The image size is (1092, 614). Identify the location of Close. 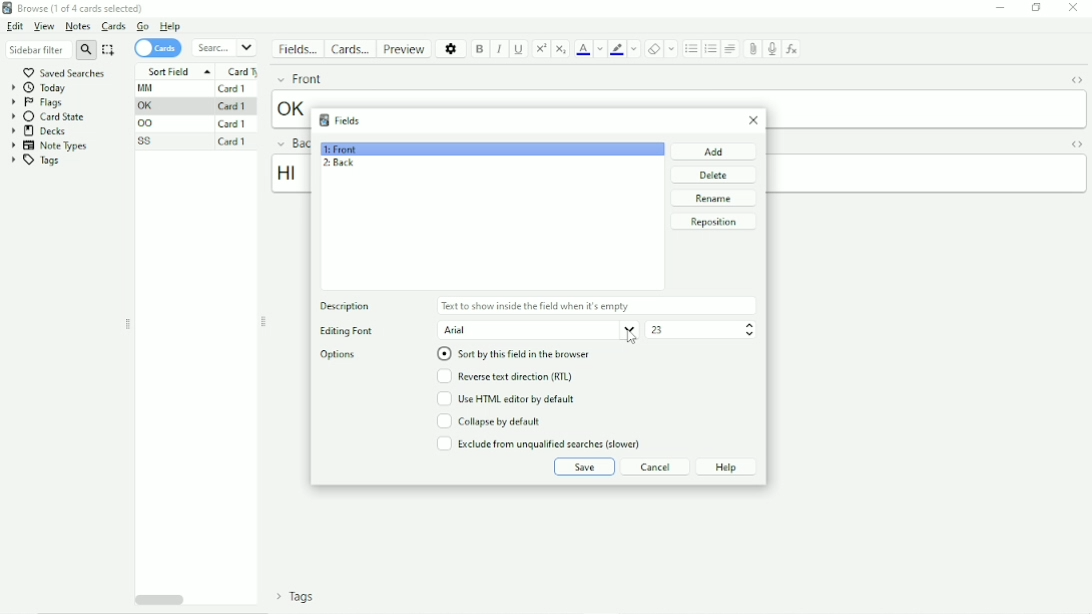
(756, 121).